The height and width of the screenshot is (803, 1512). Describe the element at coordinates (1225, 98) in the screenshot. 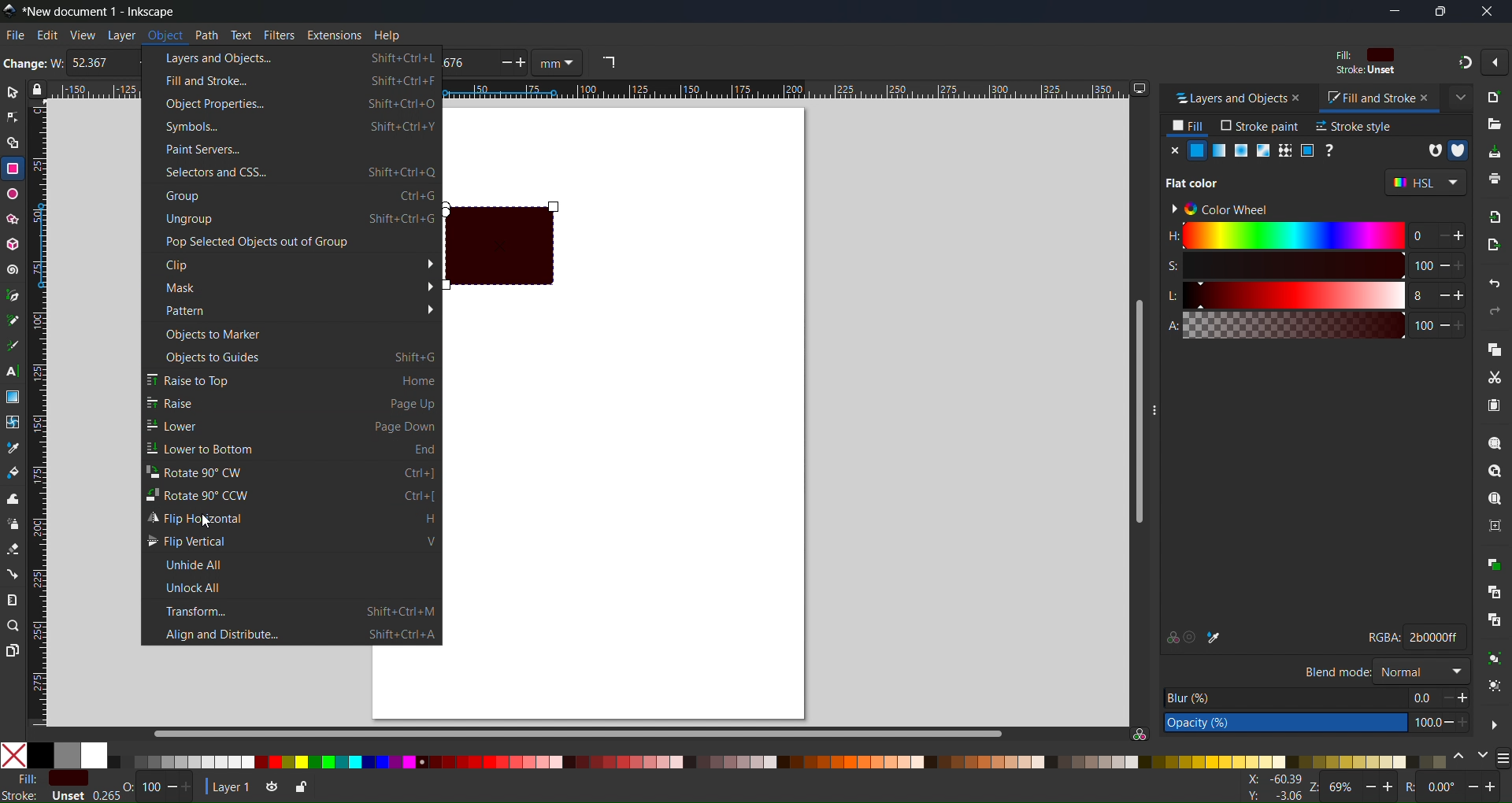

I see `Layers and Objects` at that location.